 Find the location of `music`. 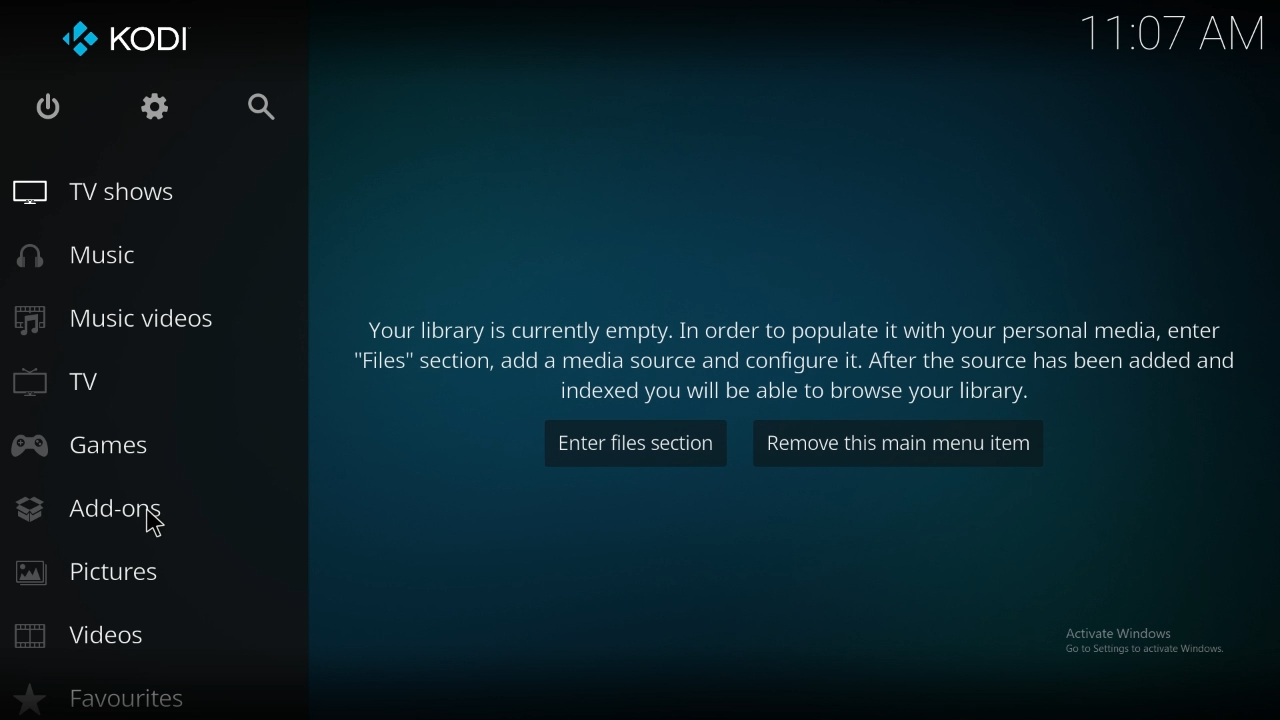

music is located at coordinates (95, 251).